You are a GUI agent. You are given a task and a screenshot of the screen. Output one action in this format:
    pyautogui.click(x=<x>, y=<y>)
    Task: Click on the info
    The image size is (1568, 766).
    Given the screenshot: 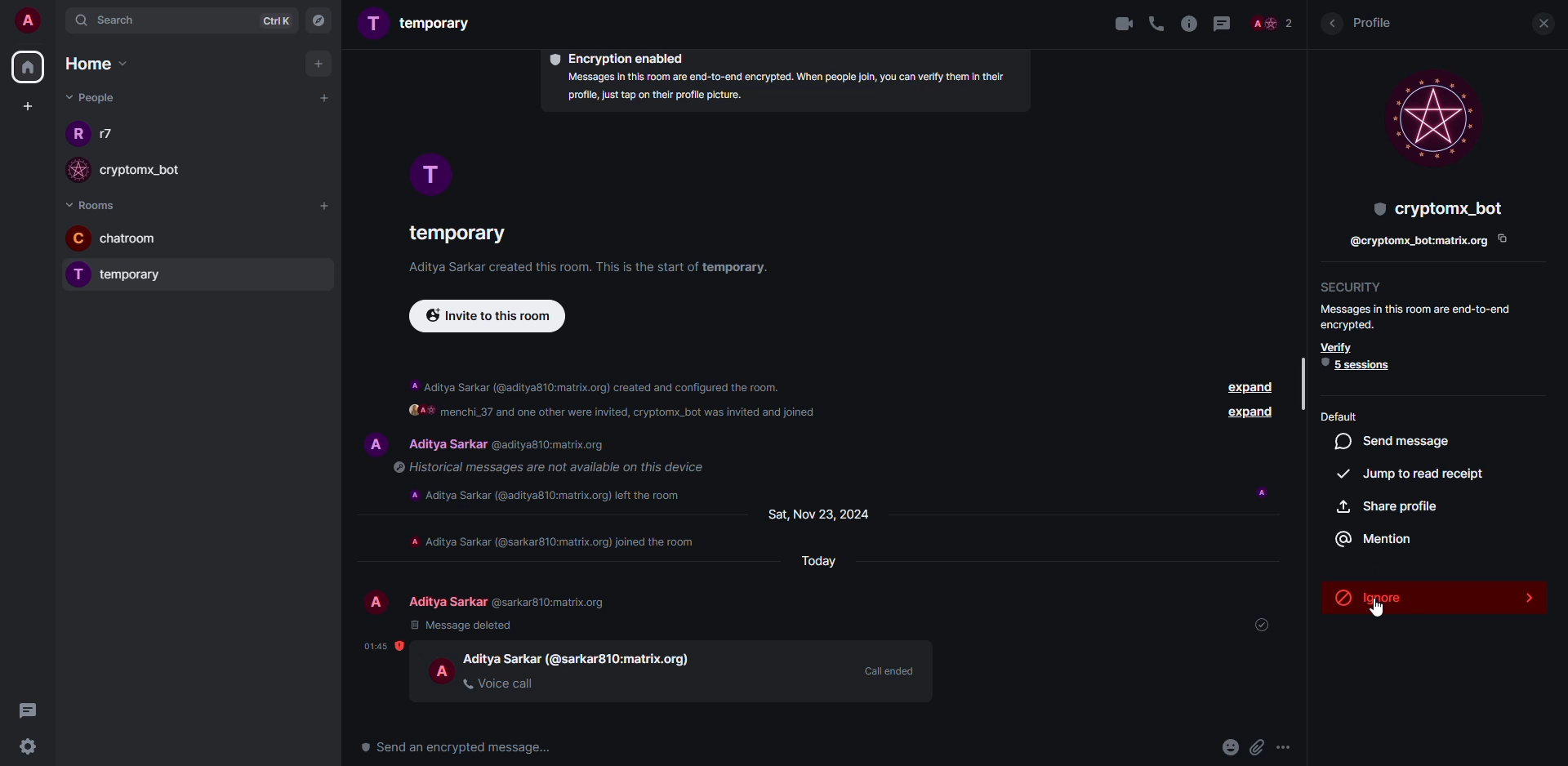 What is the action you would take?
    pyautogui.click(x=551, y=493)
    